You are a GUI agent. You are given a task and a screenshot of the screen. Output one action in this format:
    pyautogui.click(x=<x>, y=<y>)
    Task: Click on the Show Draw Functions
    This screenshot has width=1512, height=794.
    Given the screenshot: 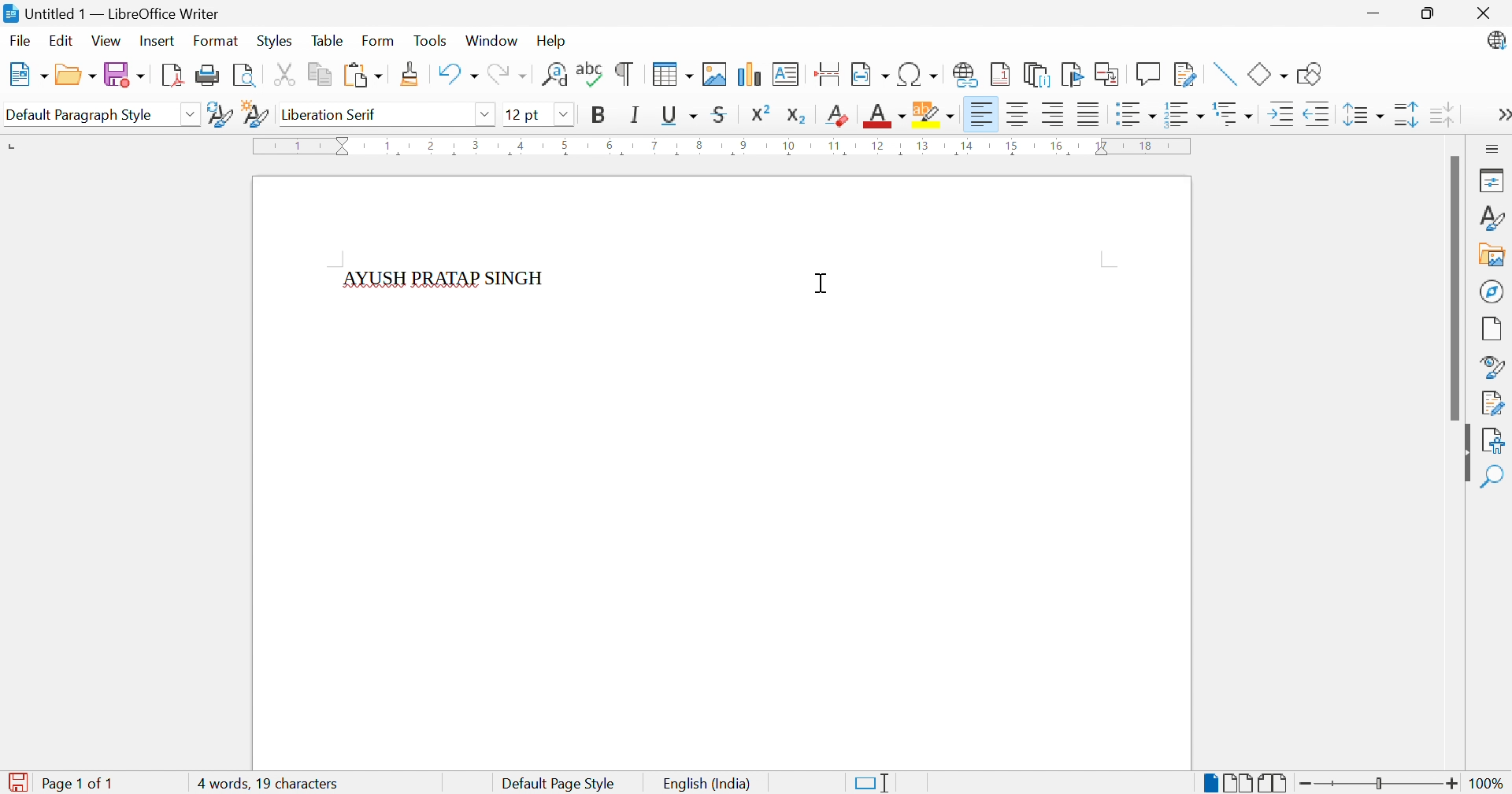 What is the action you would take?
    pyautogui.click(x=1310, y=75)
    